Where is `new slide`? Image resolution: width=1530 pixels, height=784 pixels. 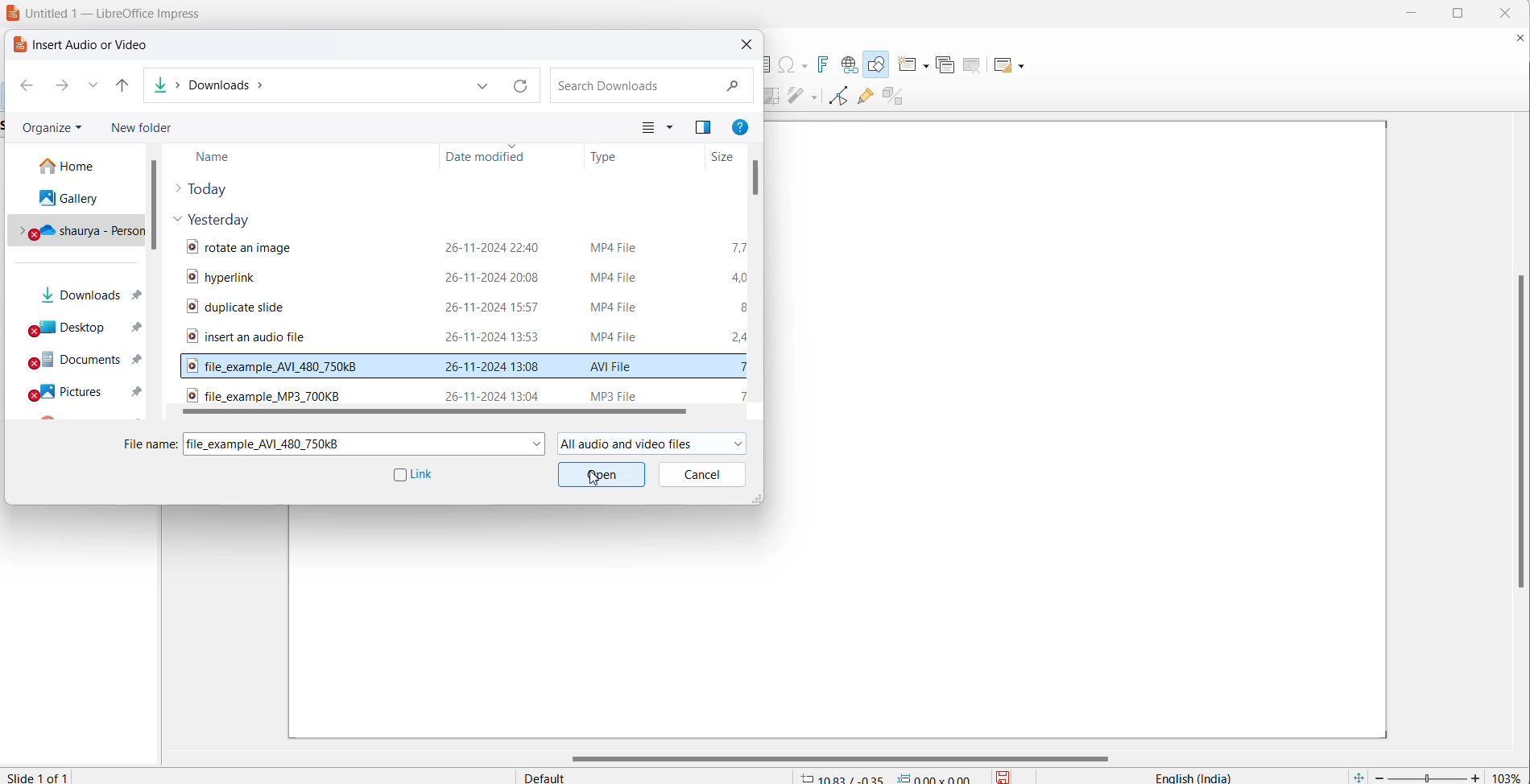 new slide is located at coordinates (906, 65).